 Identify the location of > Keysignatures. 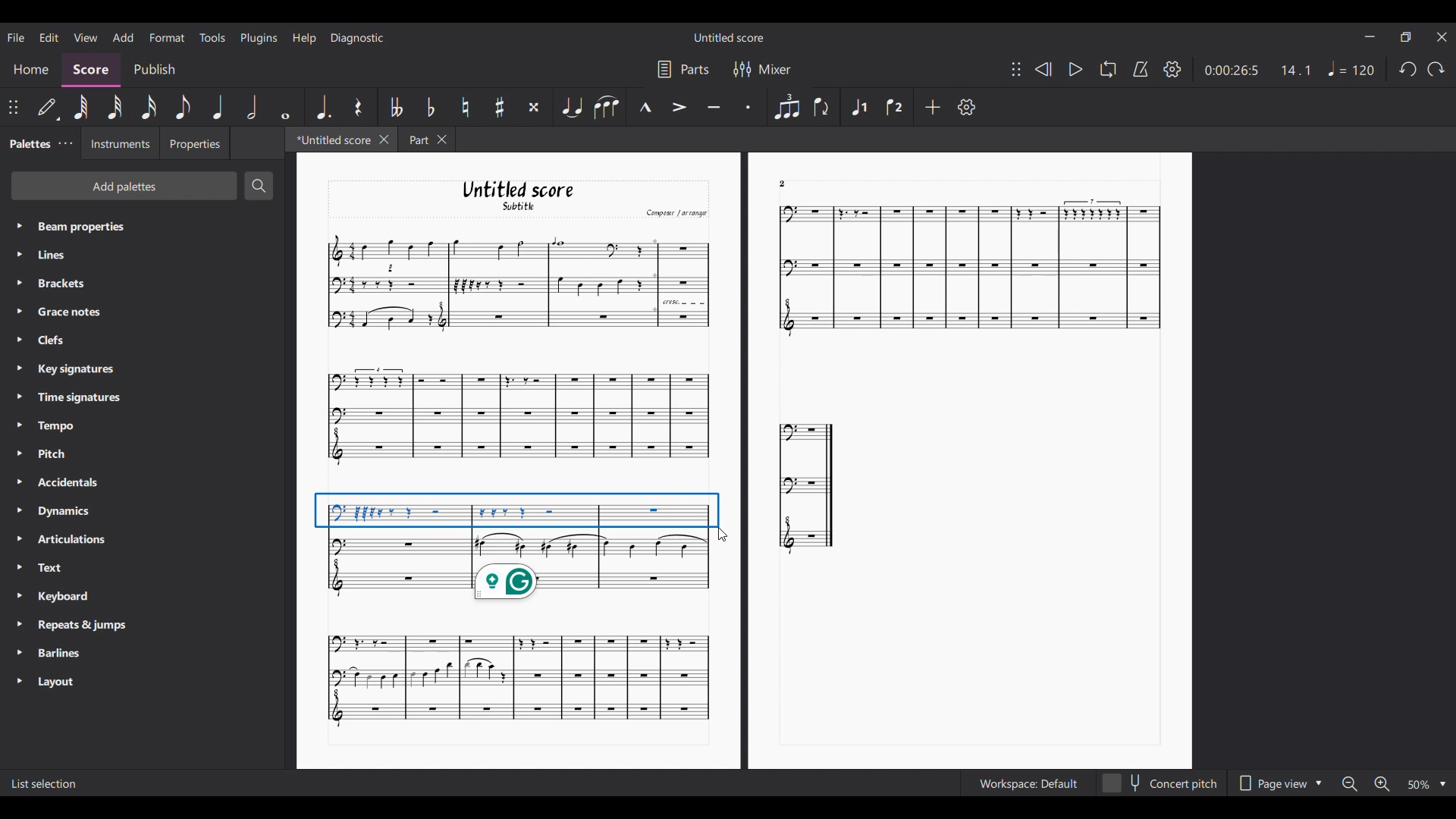
(67, 367).